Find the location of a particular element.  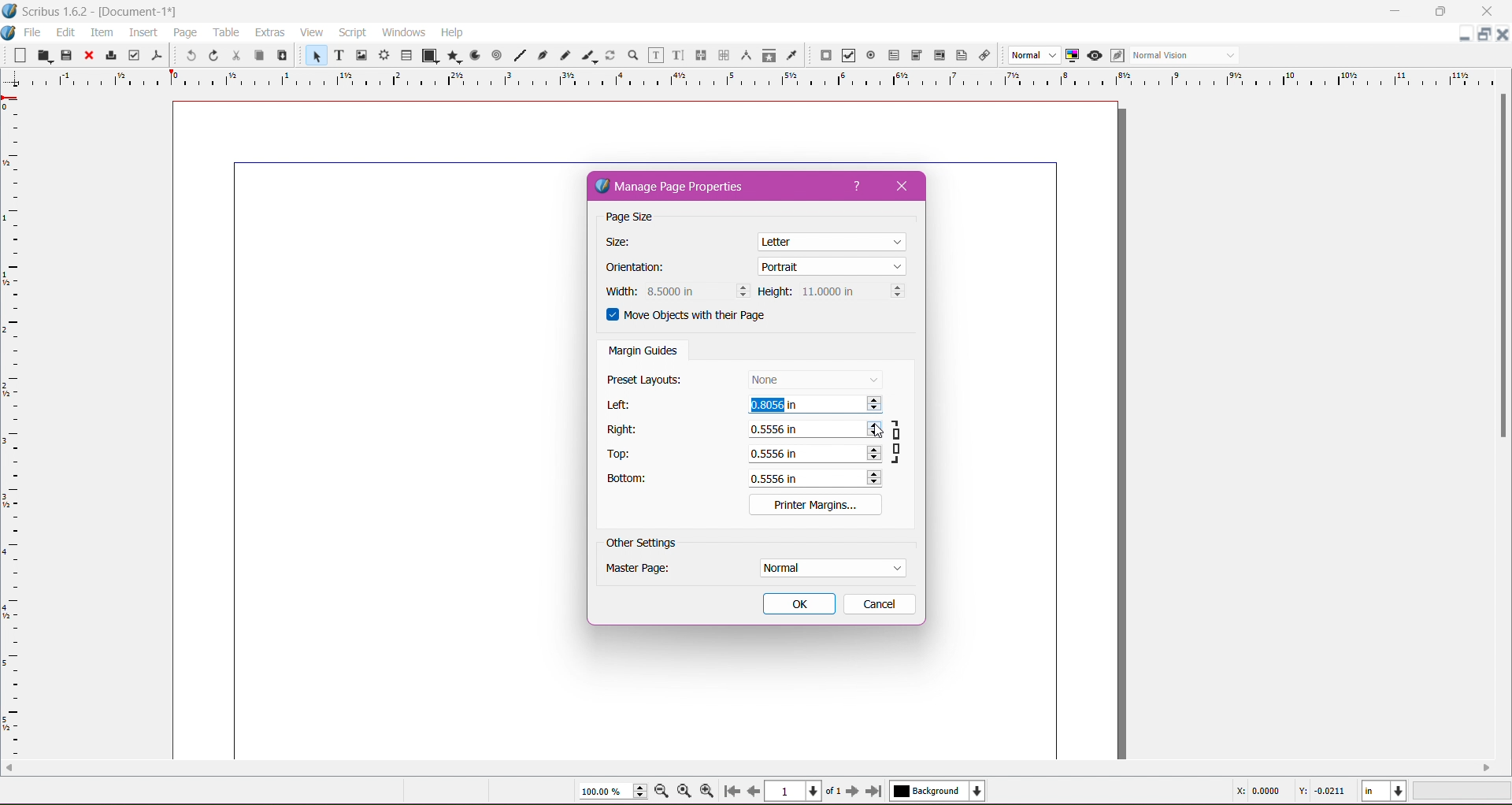

Shape is located at coordinates (427, 56).